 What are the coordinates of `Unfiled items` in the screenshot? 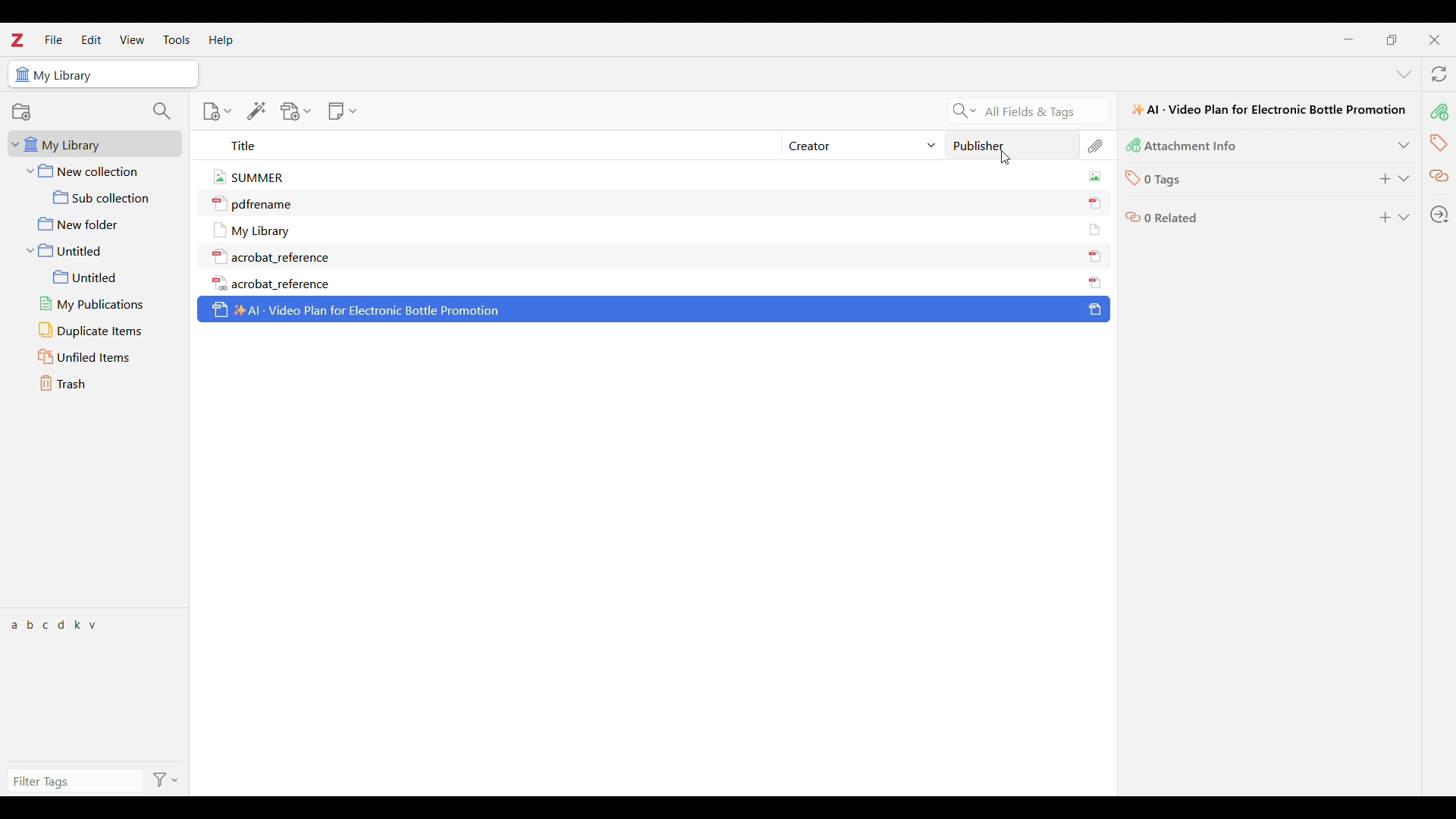 It's located at (95, 356).